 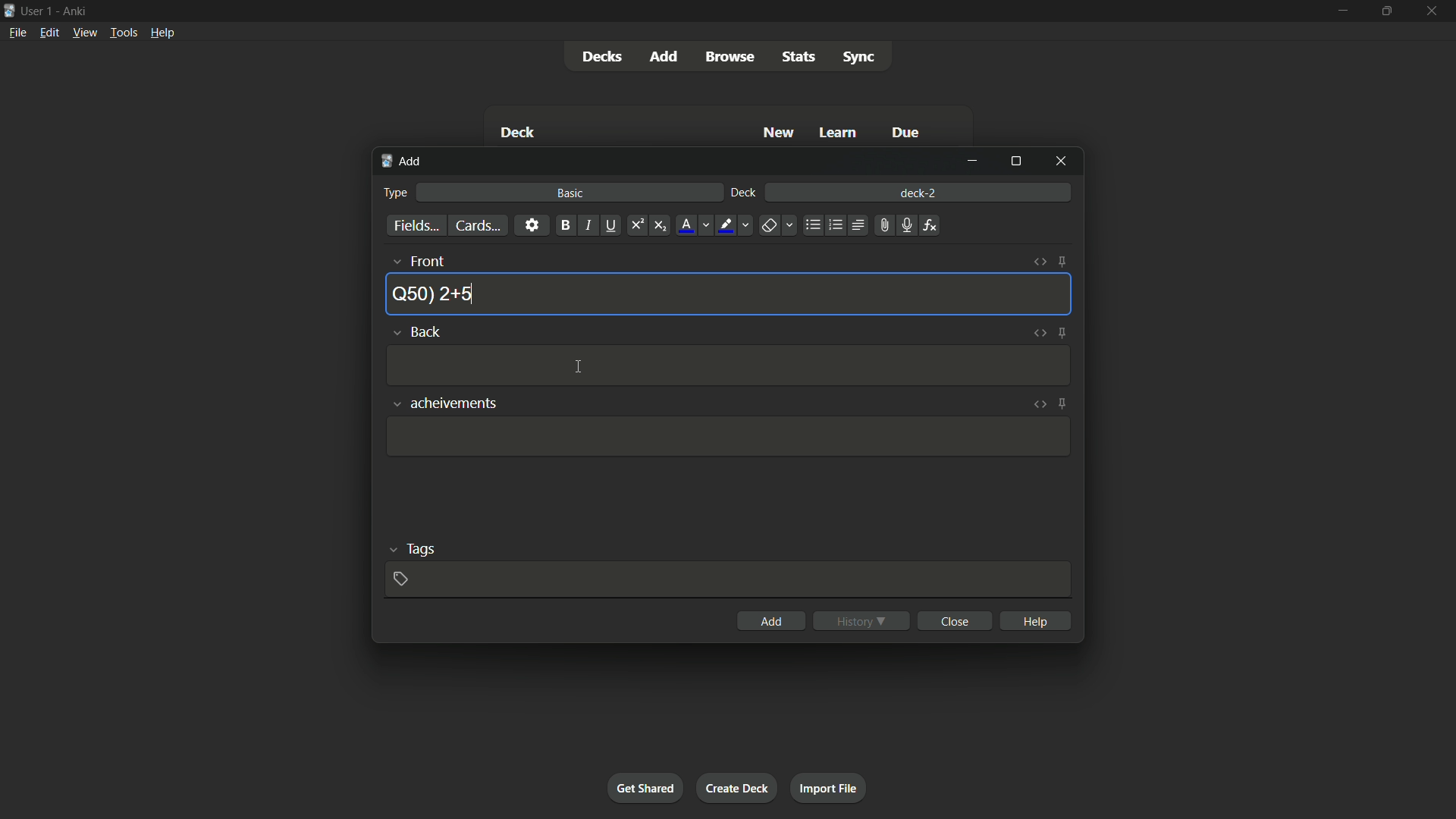 I want to click on alignment, so click(x=858, y=224).